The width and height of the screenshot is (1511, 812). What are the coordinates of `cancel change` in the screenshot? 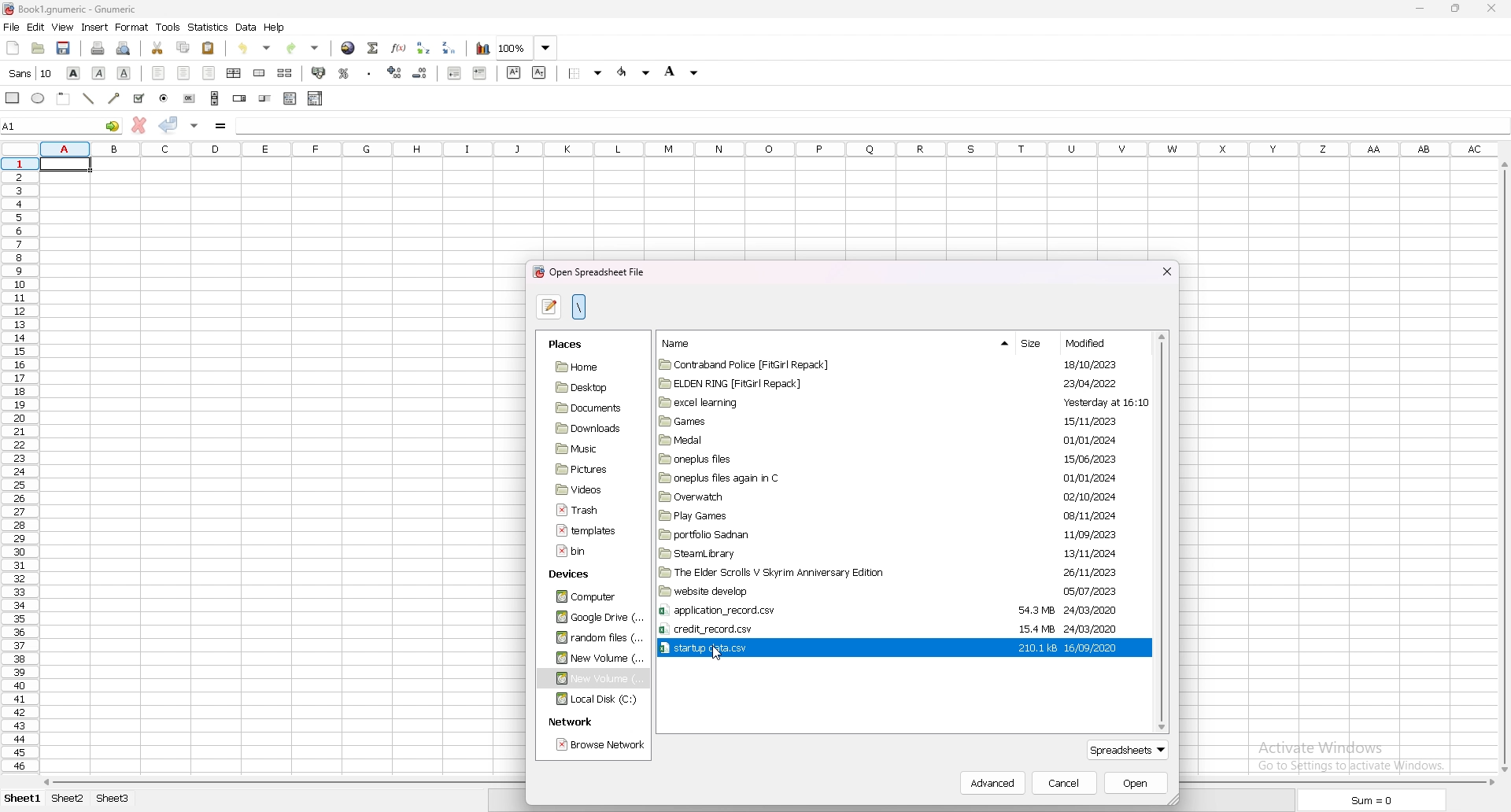 It's located at (139, 124).